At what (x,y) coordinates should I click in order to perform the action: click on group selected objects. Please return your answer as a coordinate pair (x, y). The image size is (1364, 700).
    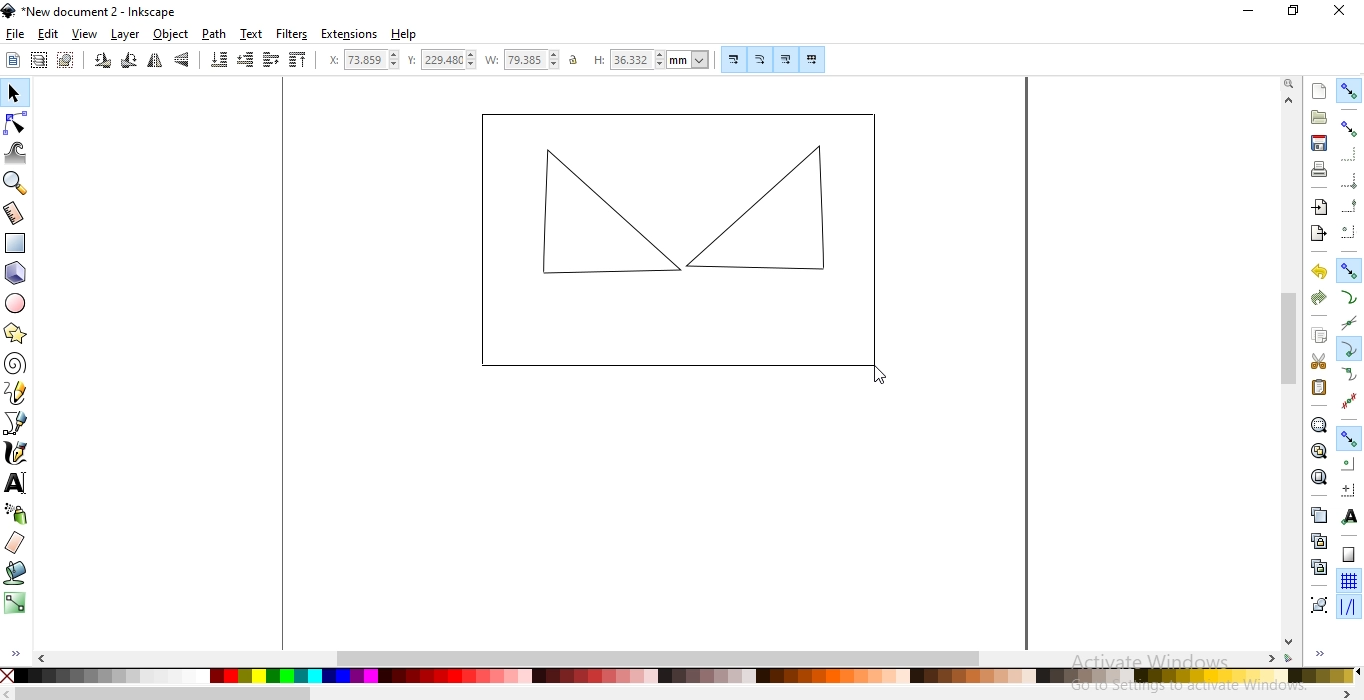
    Looking at the image, I should click on (1321, 605).